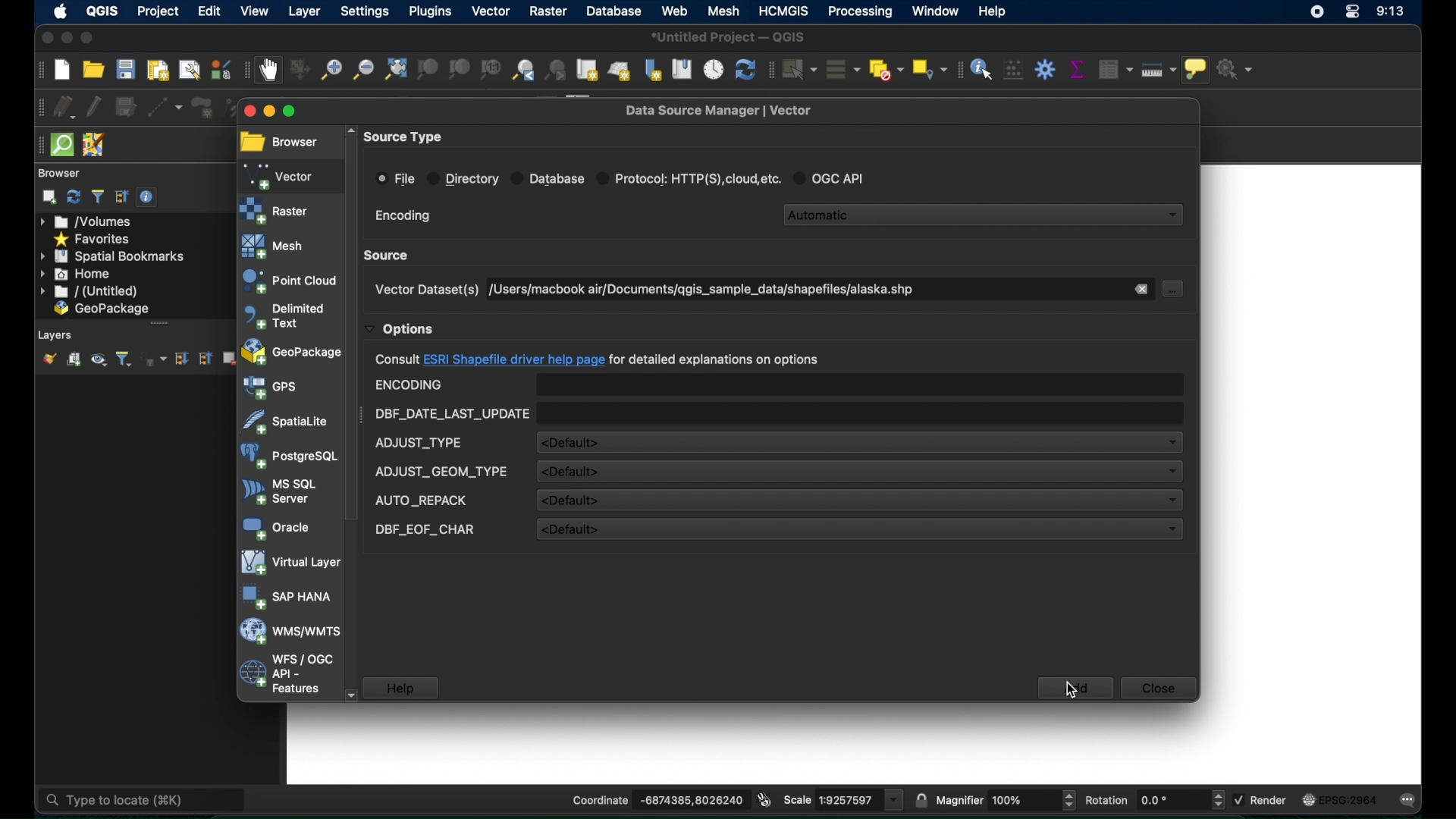  I want to click on default drop-down, so click(858, 530).